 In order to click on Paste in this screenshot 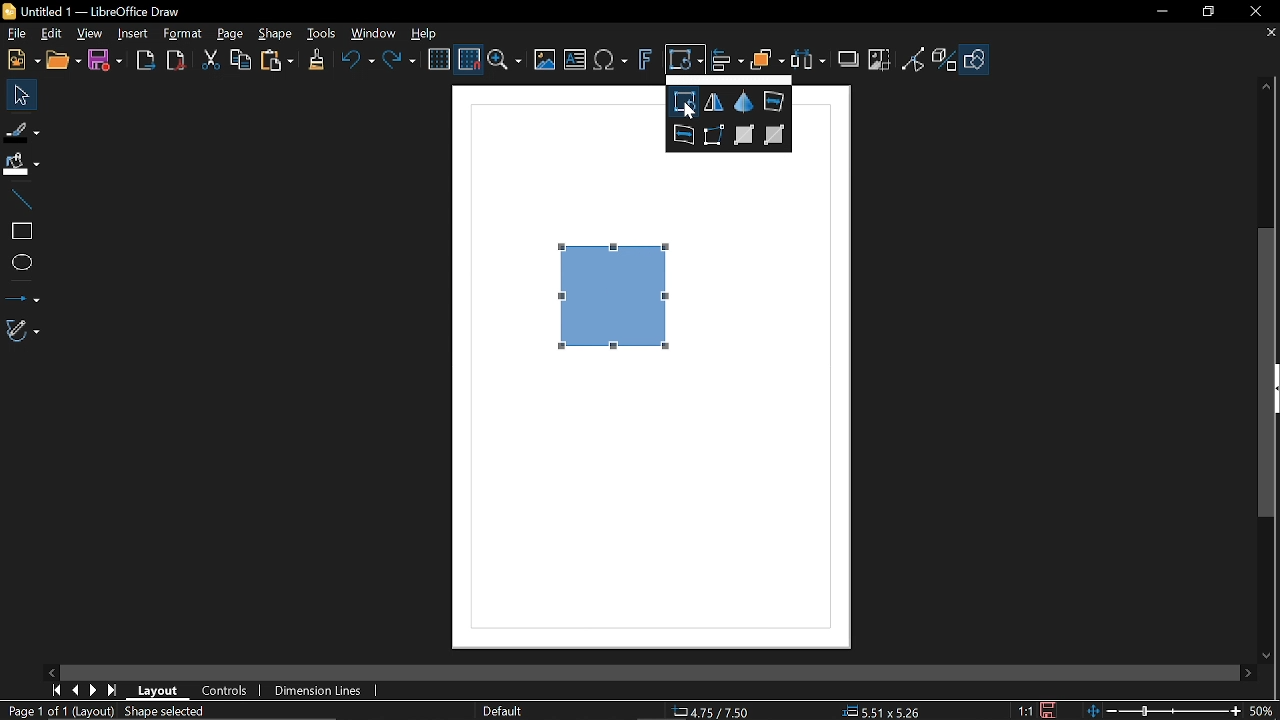, I will do `click(276, 63)`.